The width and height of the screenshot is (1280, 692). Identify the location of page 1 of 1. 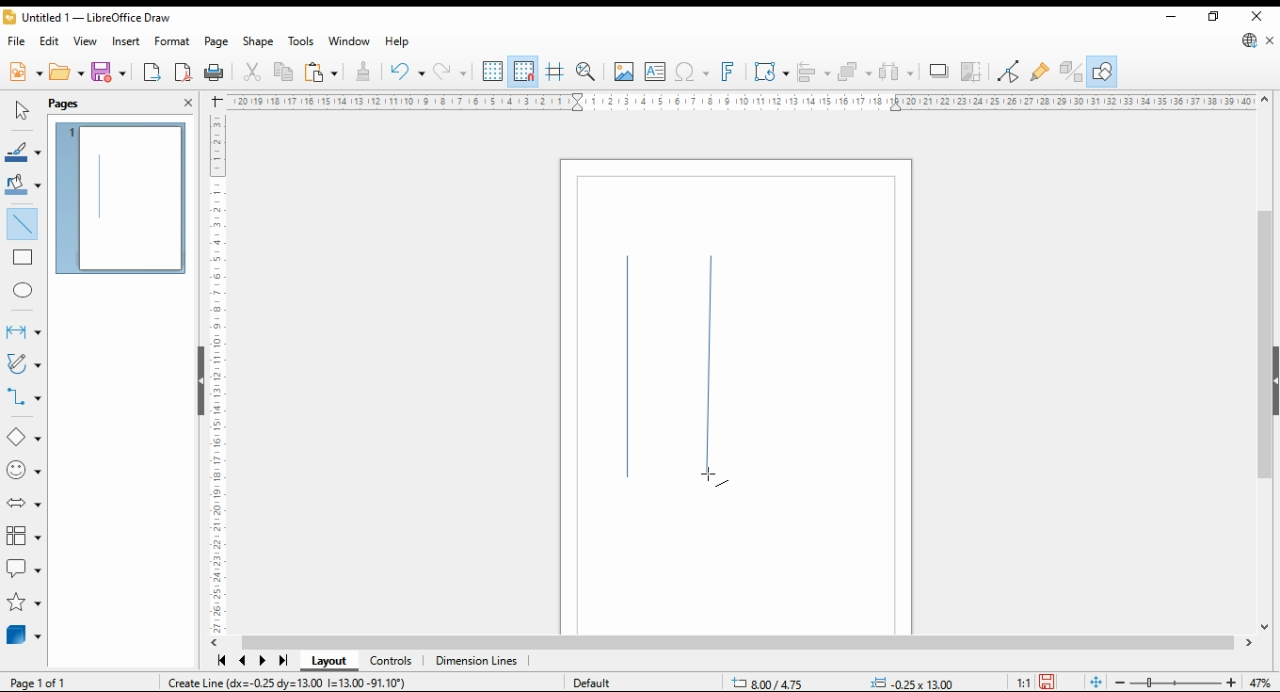
(38, 680).